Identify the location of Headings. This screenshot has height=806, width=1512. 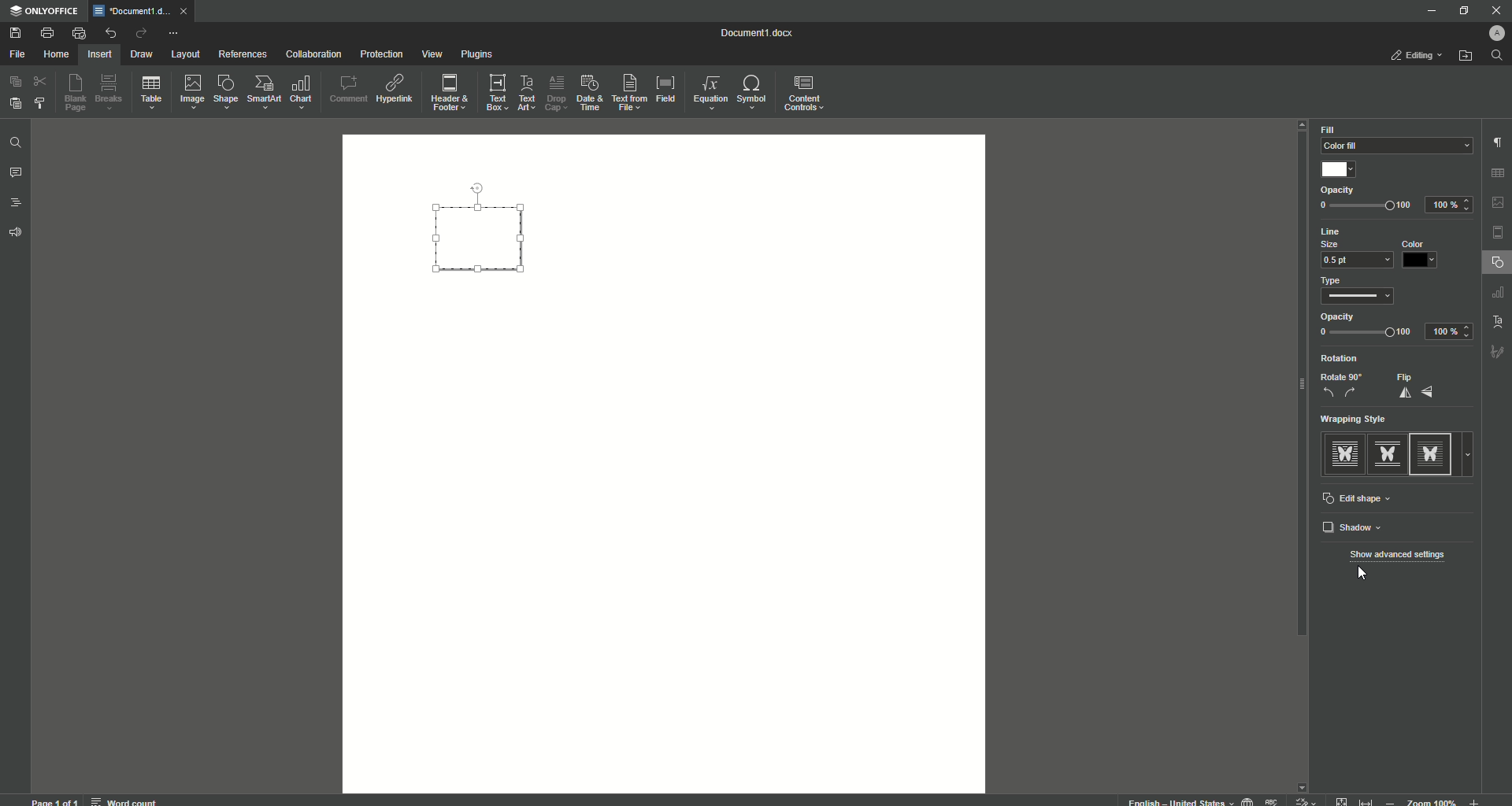
(17, 203).